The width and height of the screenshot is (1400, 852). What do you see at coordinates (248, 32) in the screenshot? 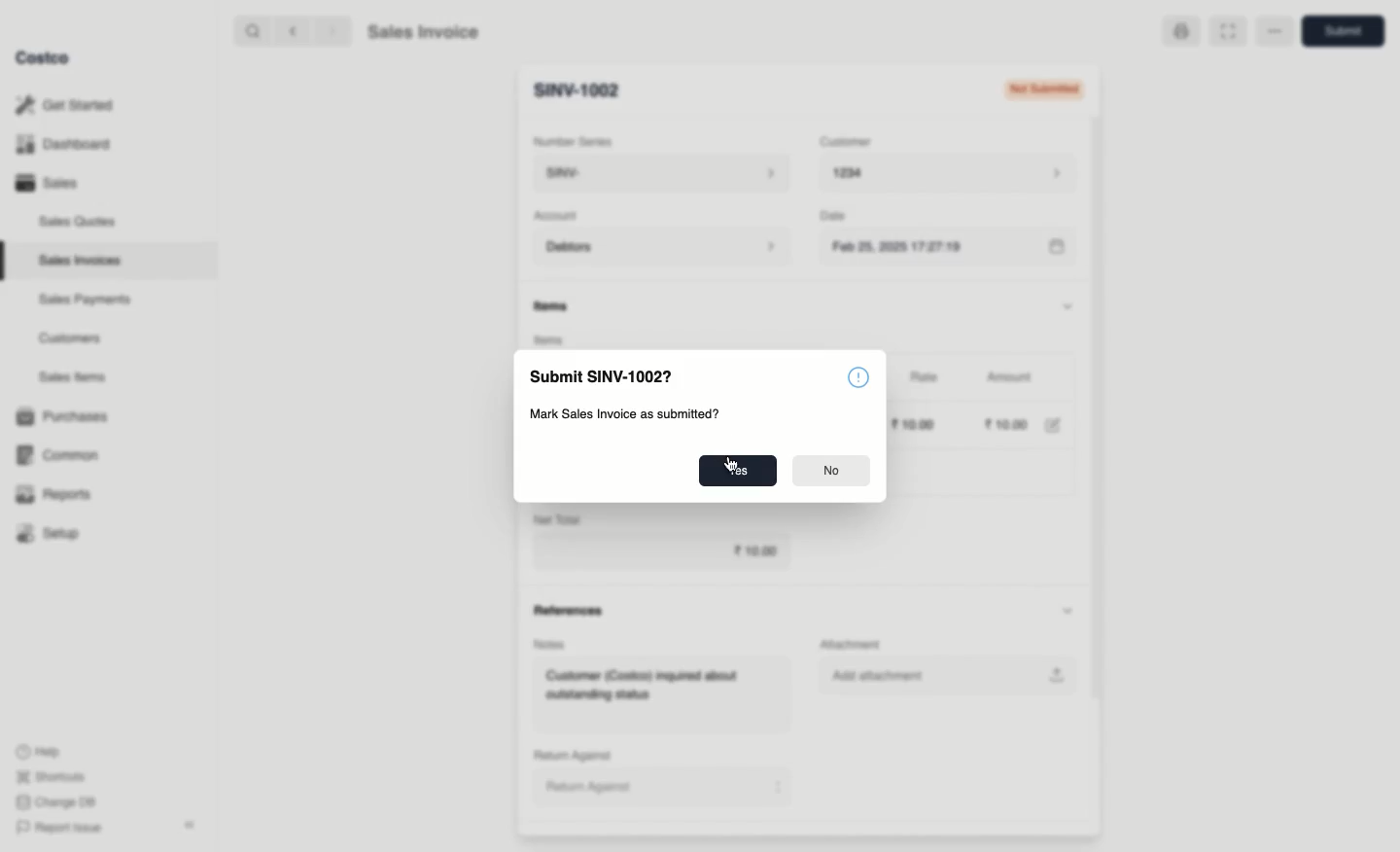
I see `Search` at bounding box center [248, 32].